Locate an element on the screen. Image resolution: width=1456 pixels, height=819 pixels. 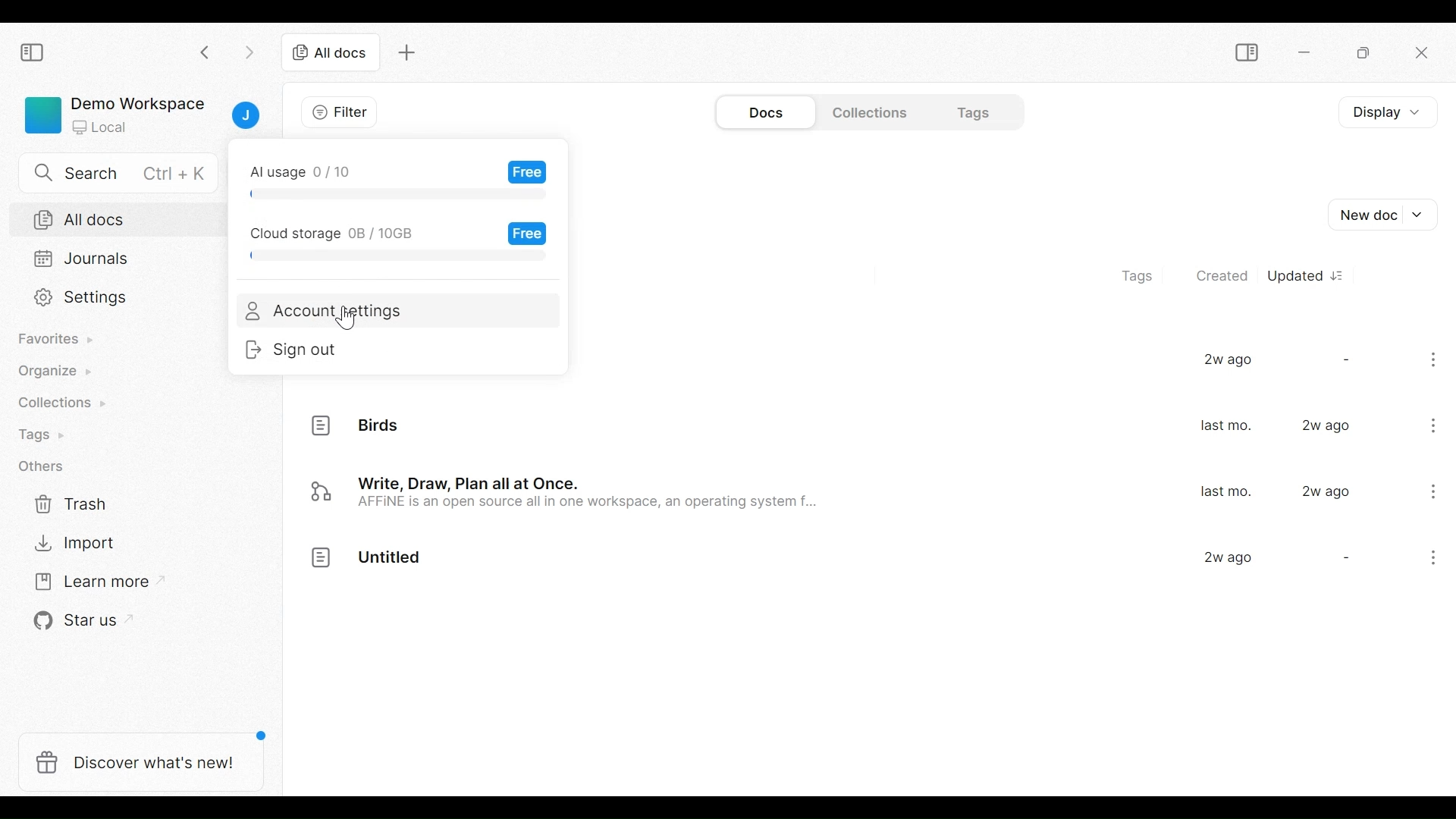
Free is located at coordinates (525, 171).